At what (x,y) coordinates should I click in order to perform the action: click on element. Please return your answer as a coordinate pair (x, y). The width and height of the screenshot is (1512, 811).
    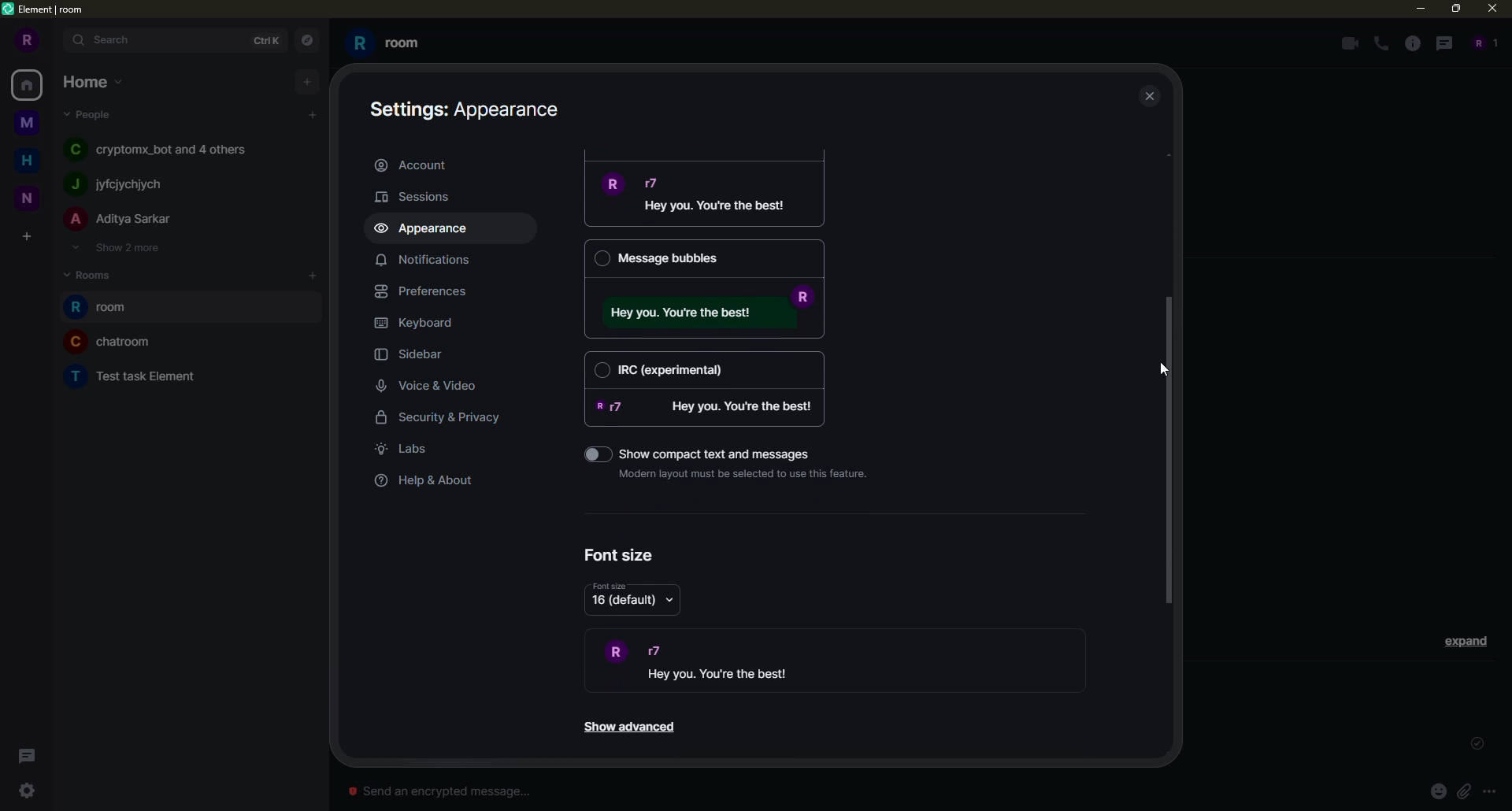
    Looking at the image, I should click on (46, 10).